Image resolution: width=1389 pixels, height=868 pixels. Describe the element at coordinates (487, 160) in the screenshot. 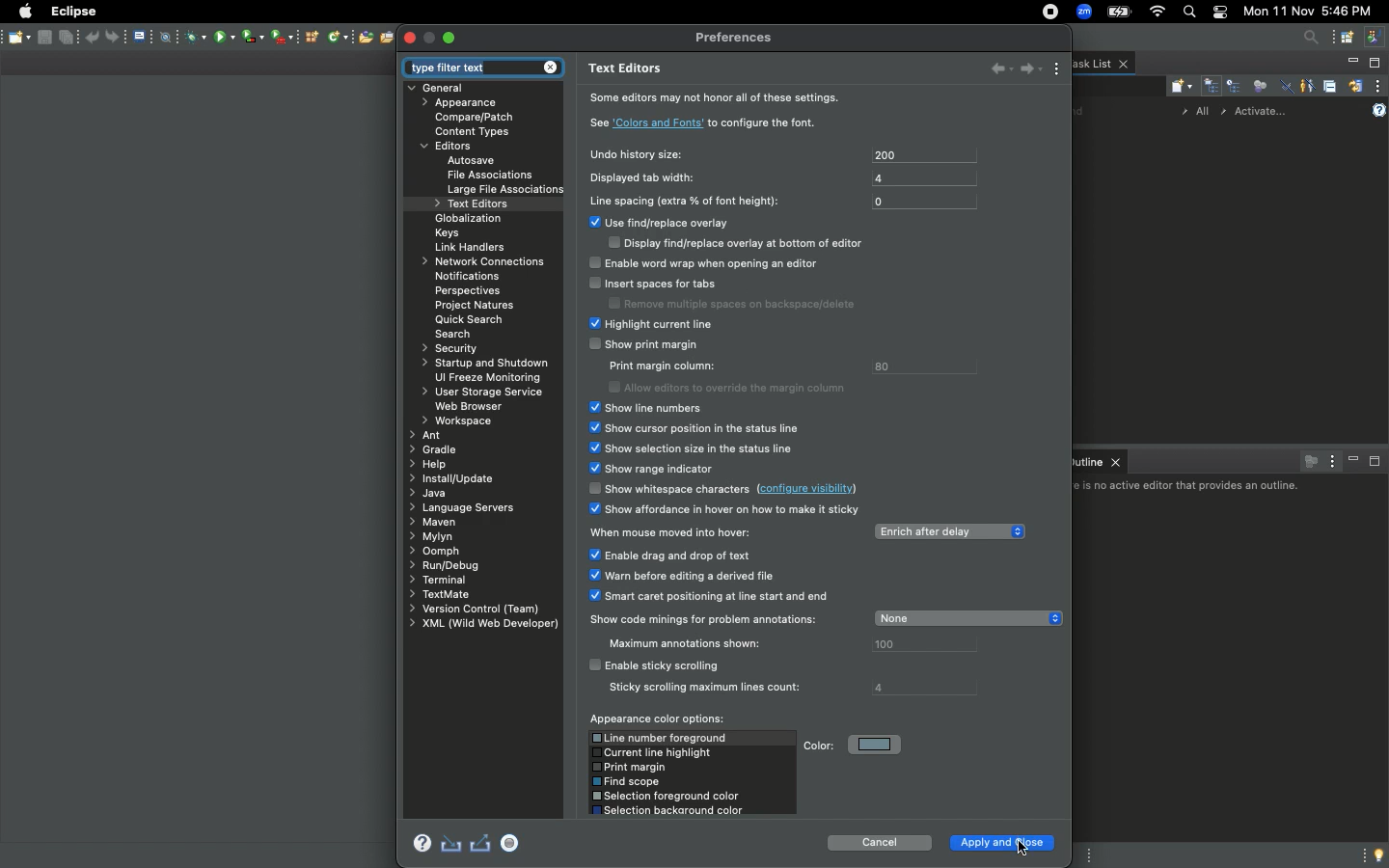

I see `Autosave` at that location.